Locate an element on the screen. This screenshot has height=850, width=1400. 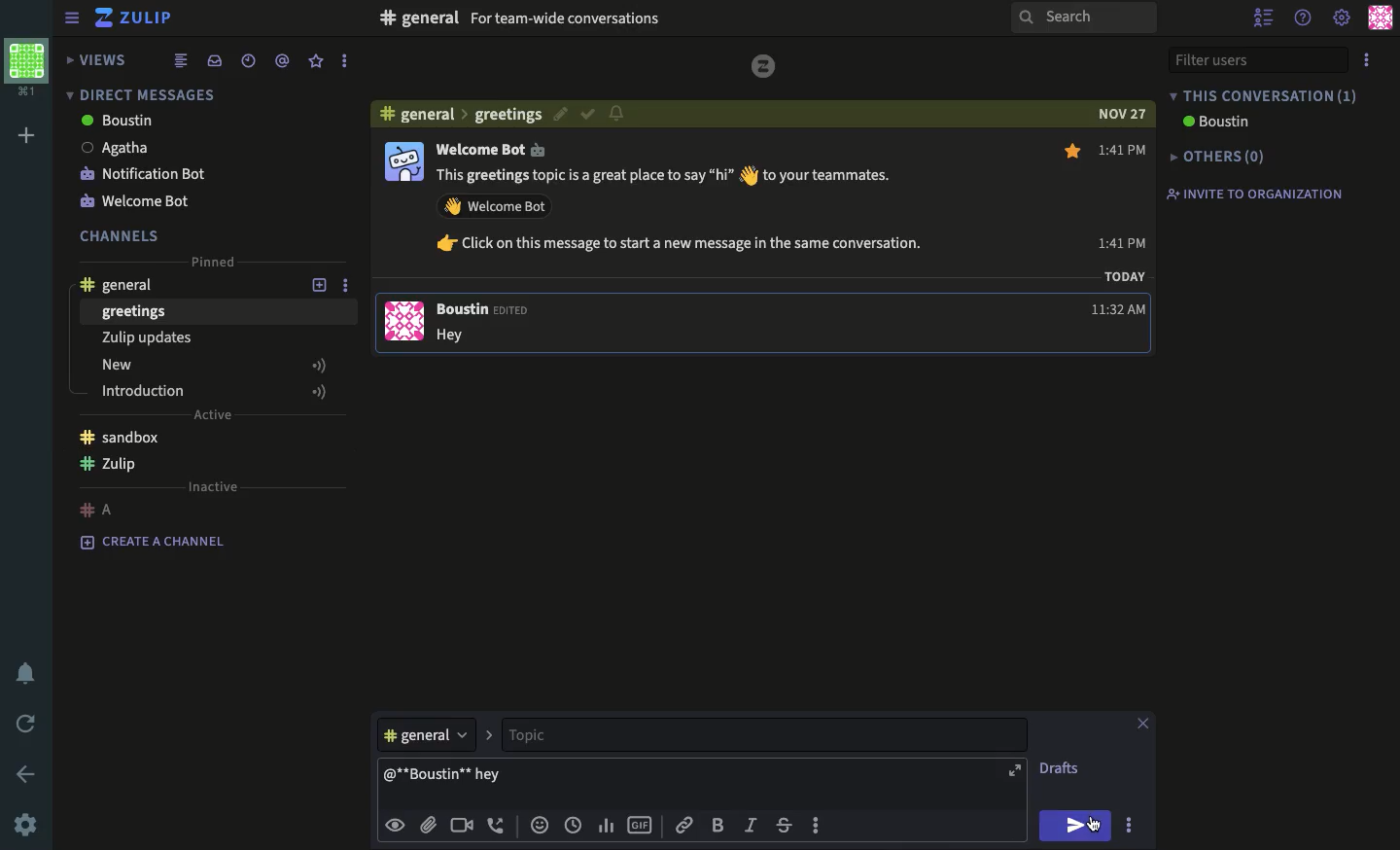
NOV 27 is located at coordinates (1125, 115).